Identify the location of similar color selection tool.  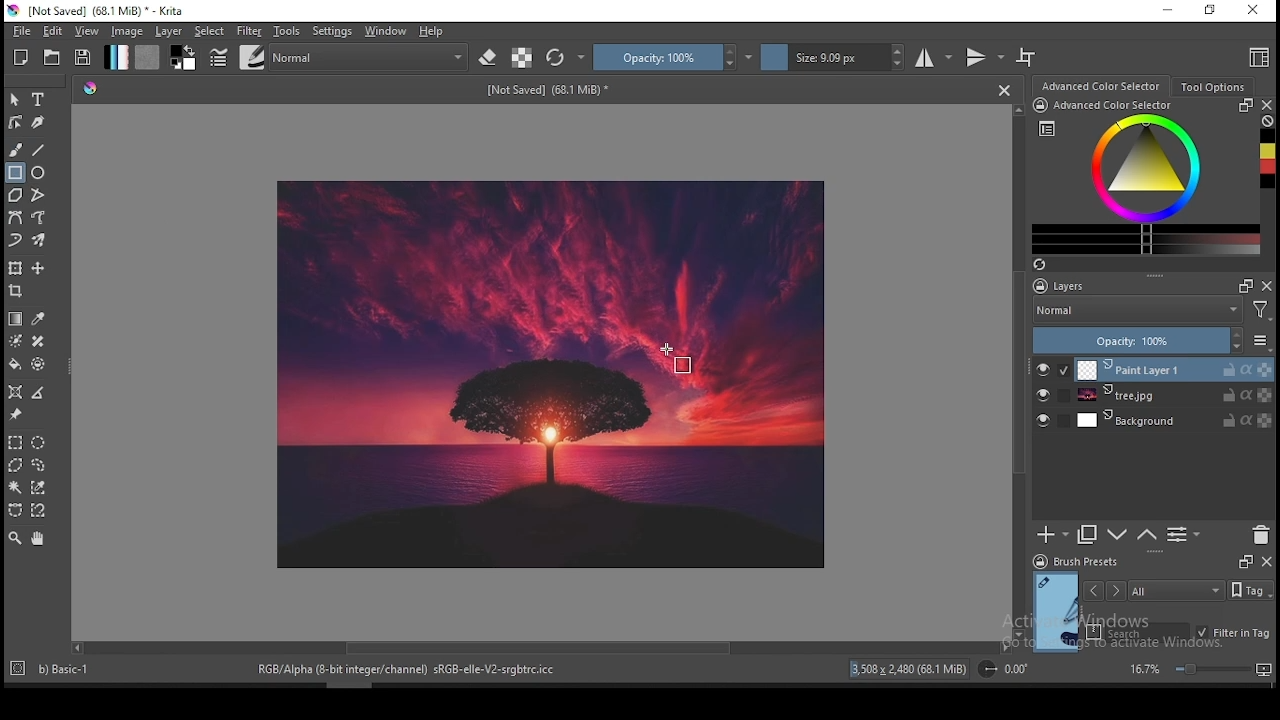
(39, 487).